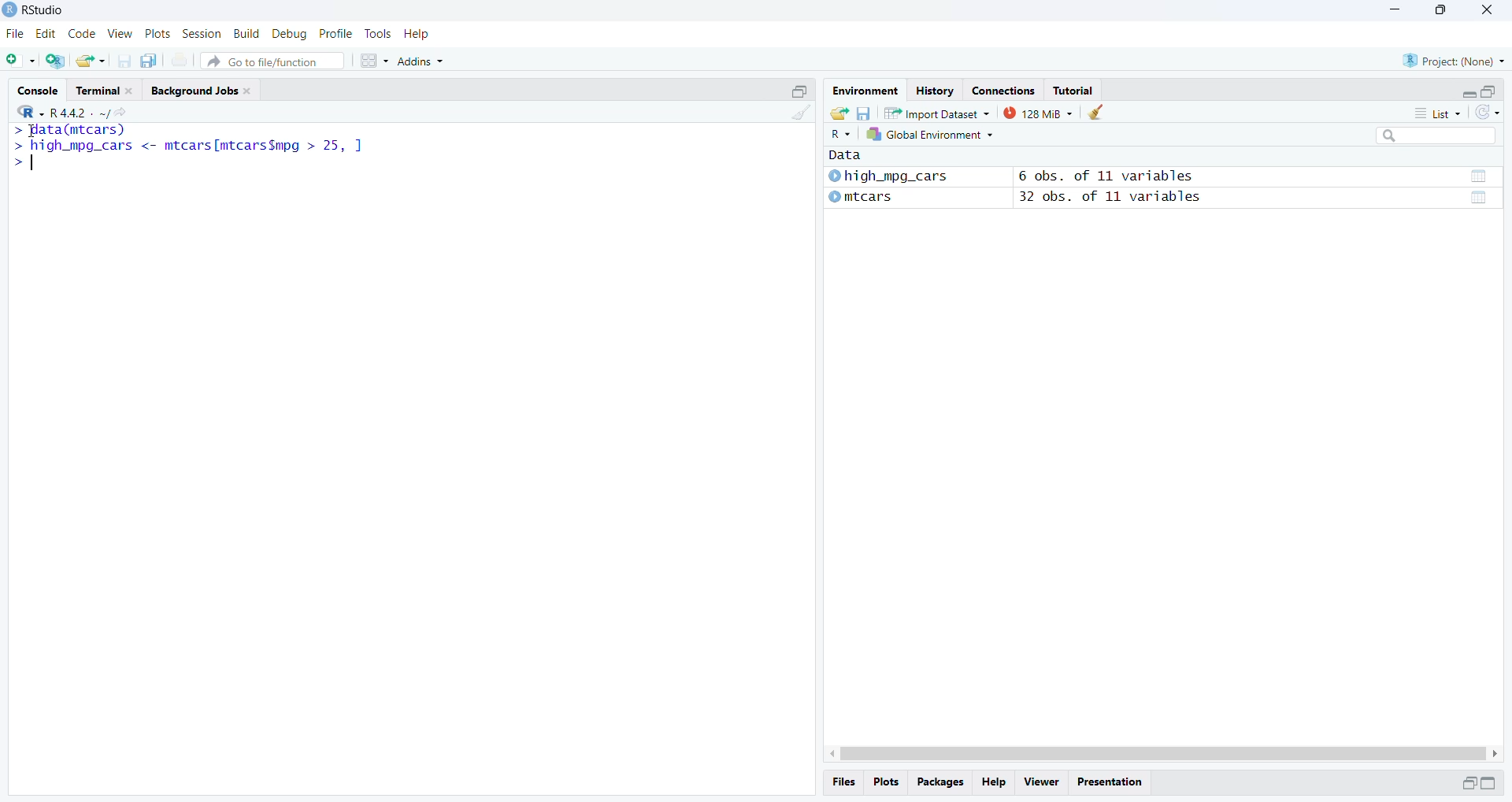 This screenshot has width=1512, height=802. What do you see at coordinates (191, 147) in the screenshot?
I see `high_mpg_cars <- mtcars|mtcarsSmpg > 25 ]` at bounding box center [191, 147].